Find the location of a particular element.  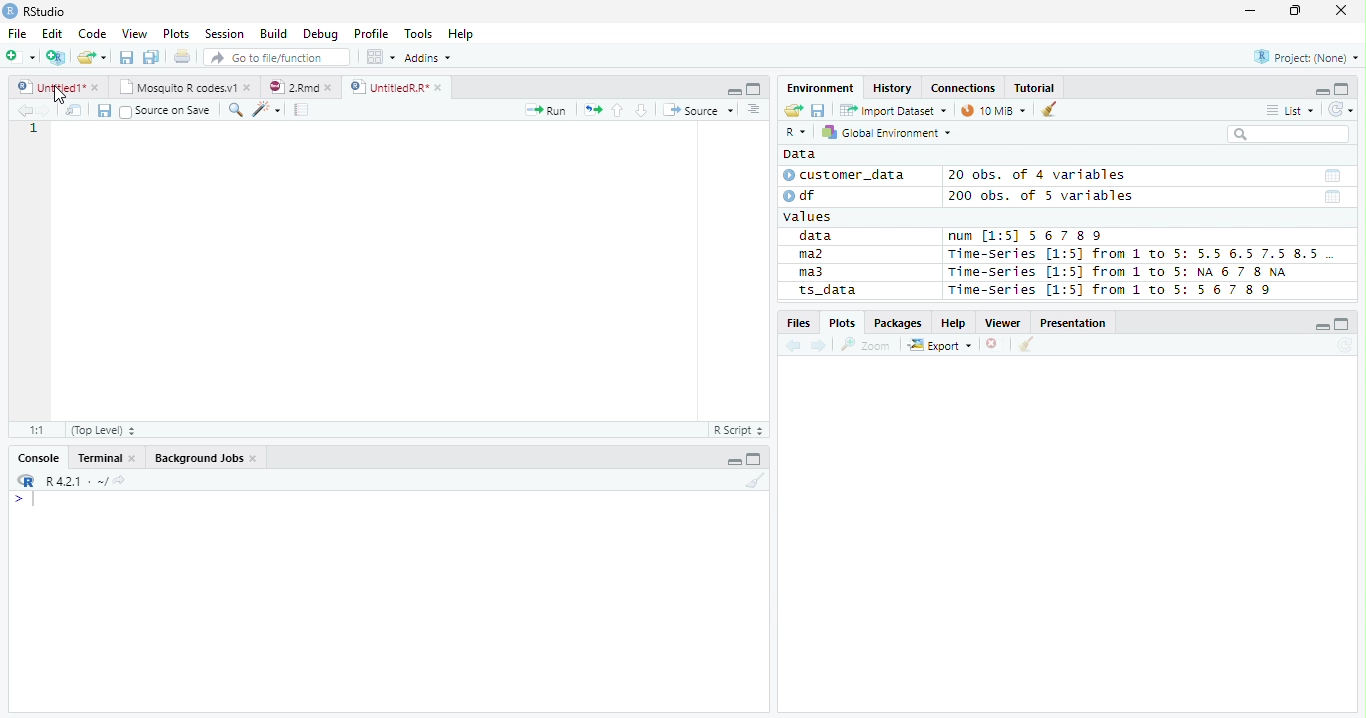

View Current work directory is located at coordinates (121, 480).